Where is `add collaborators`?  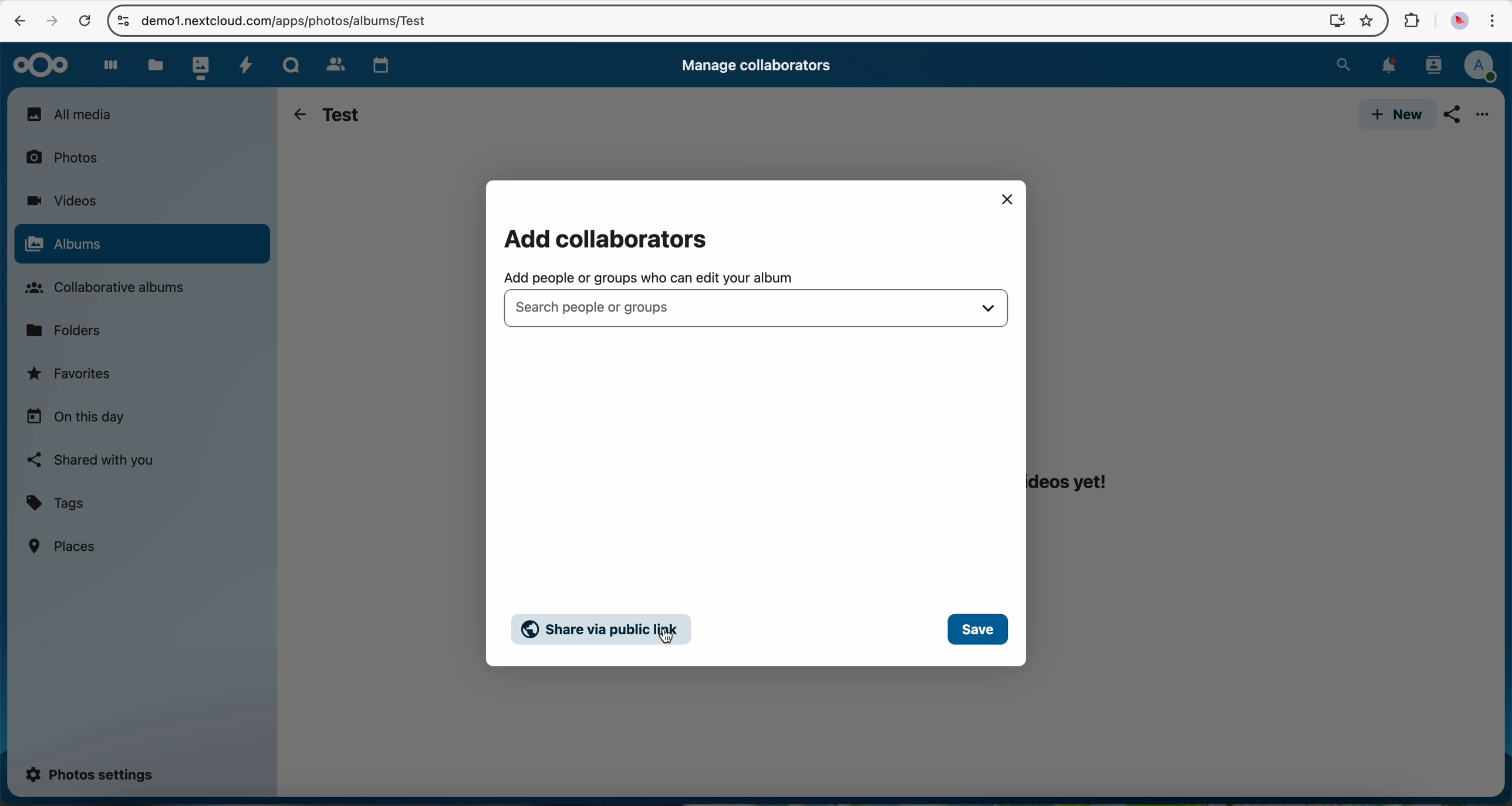
add collaborators is located at coordinates (613, 238).